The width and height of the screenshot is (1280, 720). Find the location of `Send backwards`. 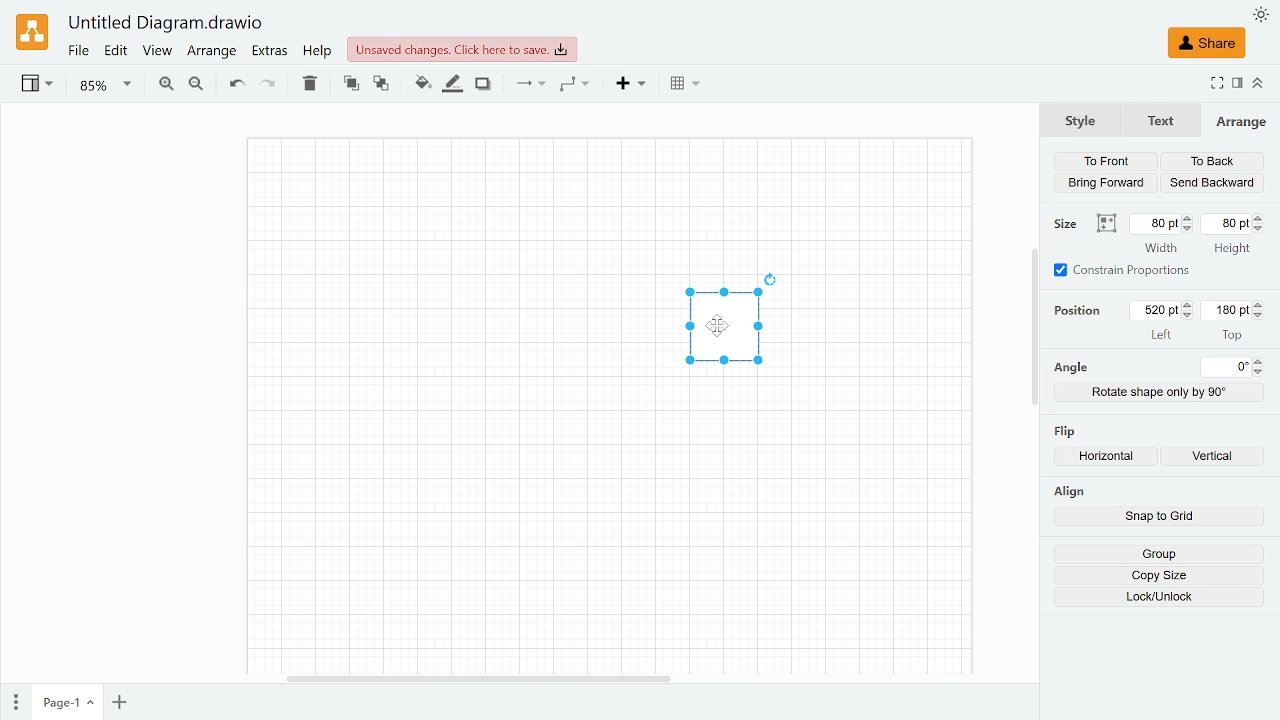

Send backwards is located at coordinates (1212, 183).